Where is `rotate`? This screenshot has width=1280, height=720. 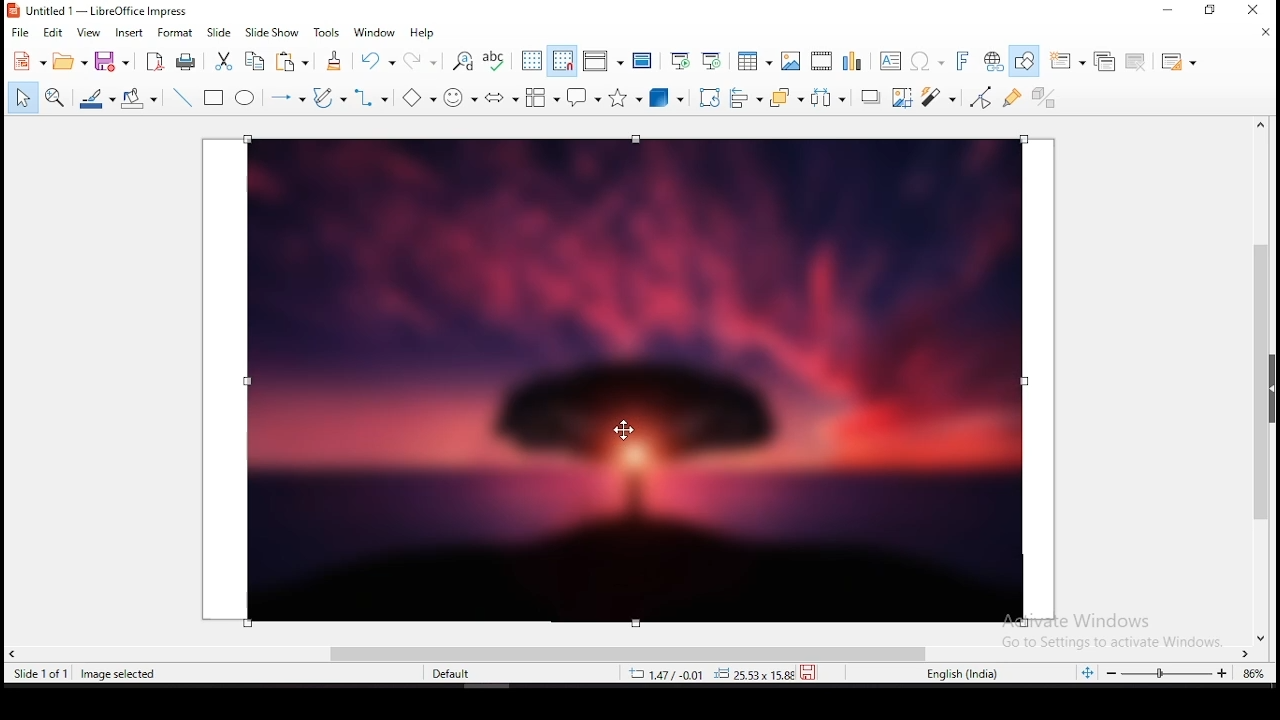
rotate is located at coordinates (707, 99).